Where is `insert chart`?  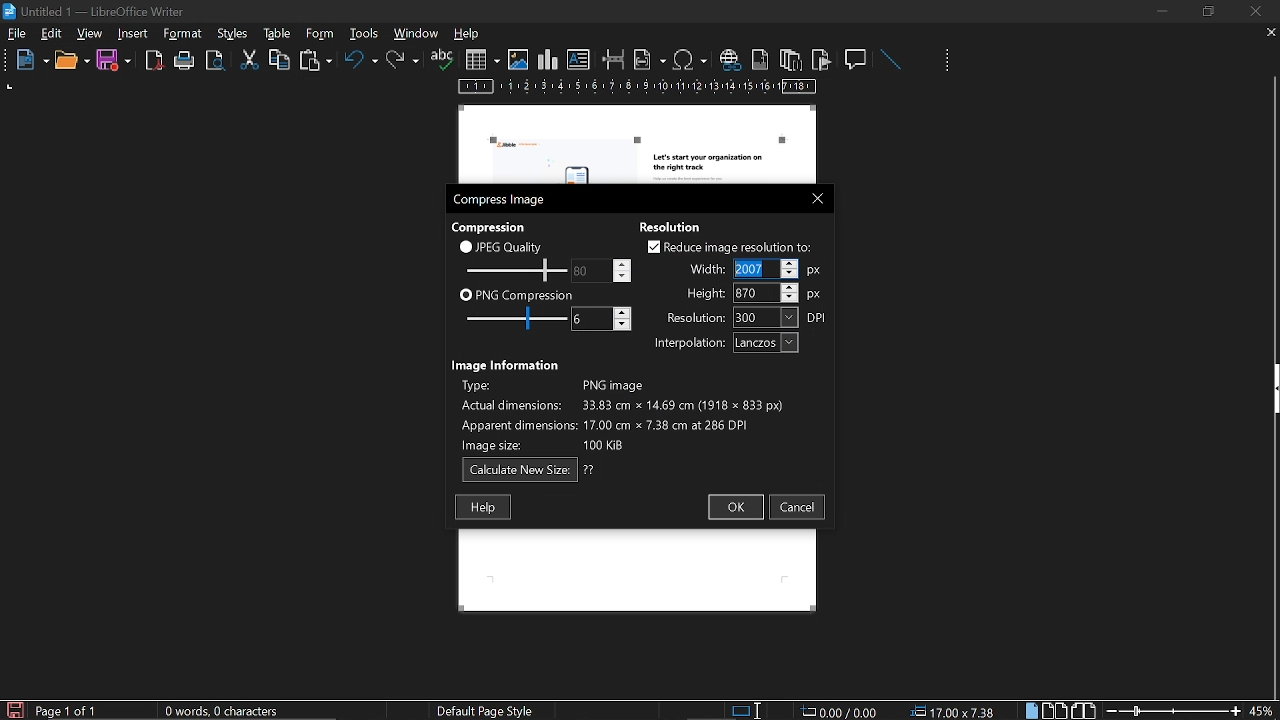
insert chart is located at coordinates (548, 60).